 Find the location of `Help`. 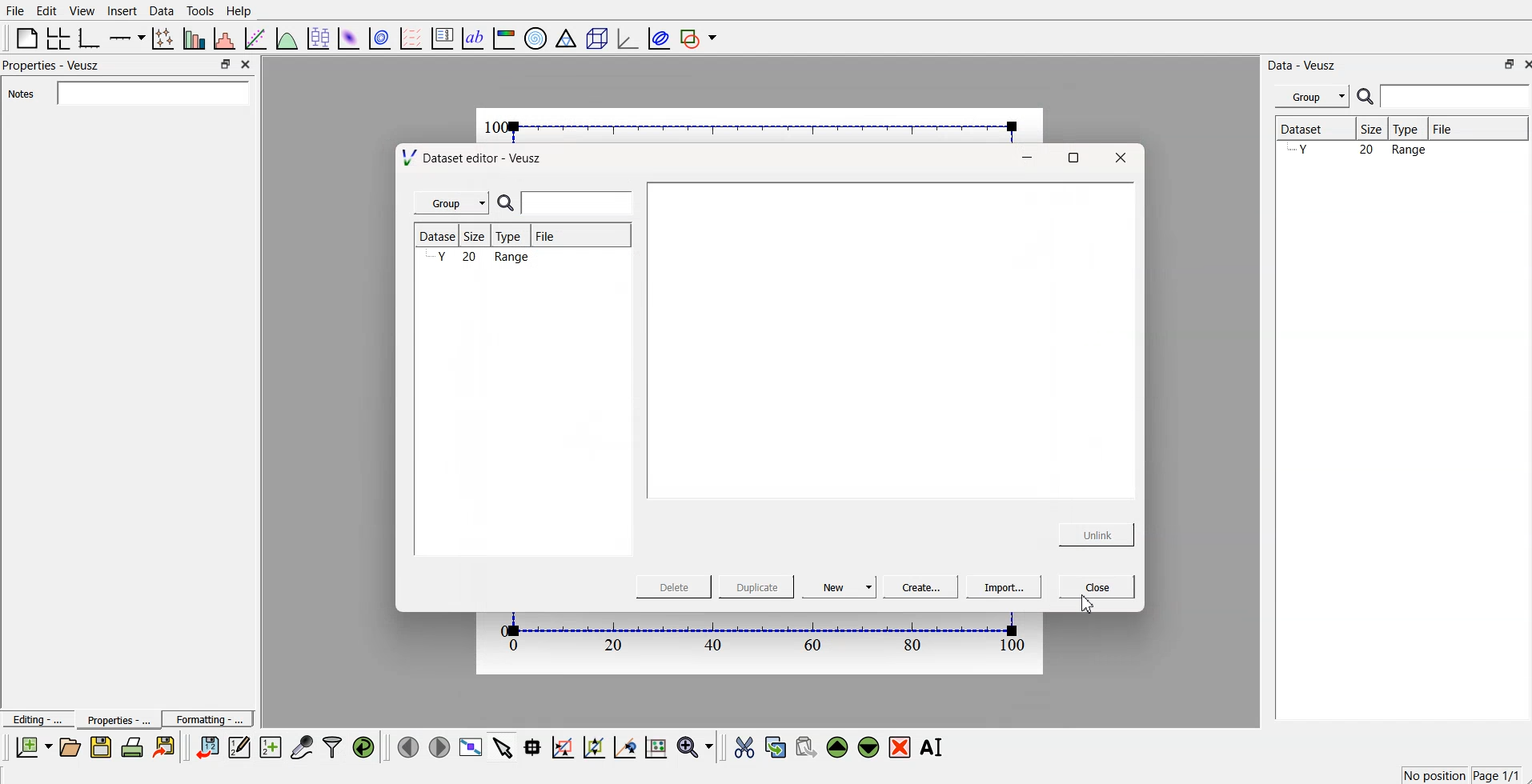

Help is located at coordinates (246, 10).